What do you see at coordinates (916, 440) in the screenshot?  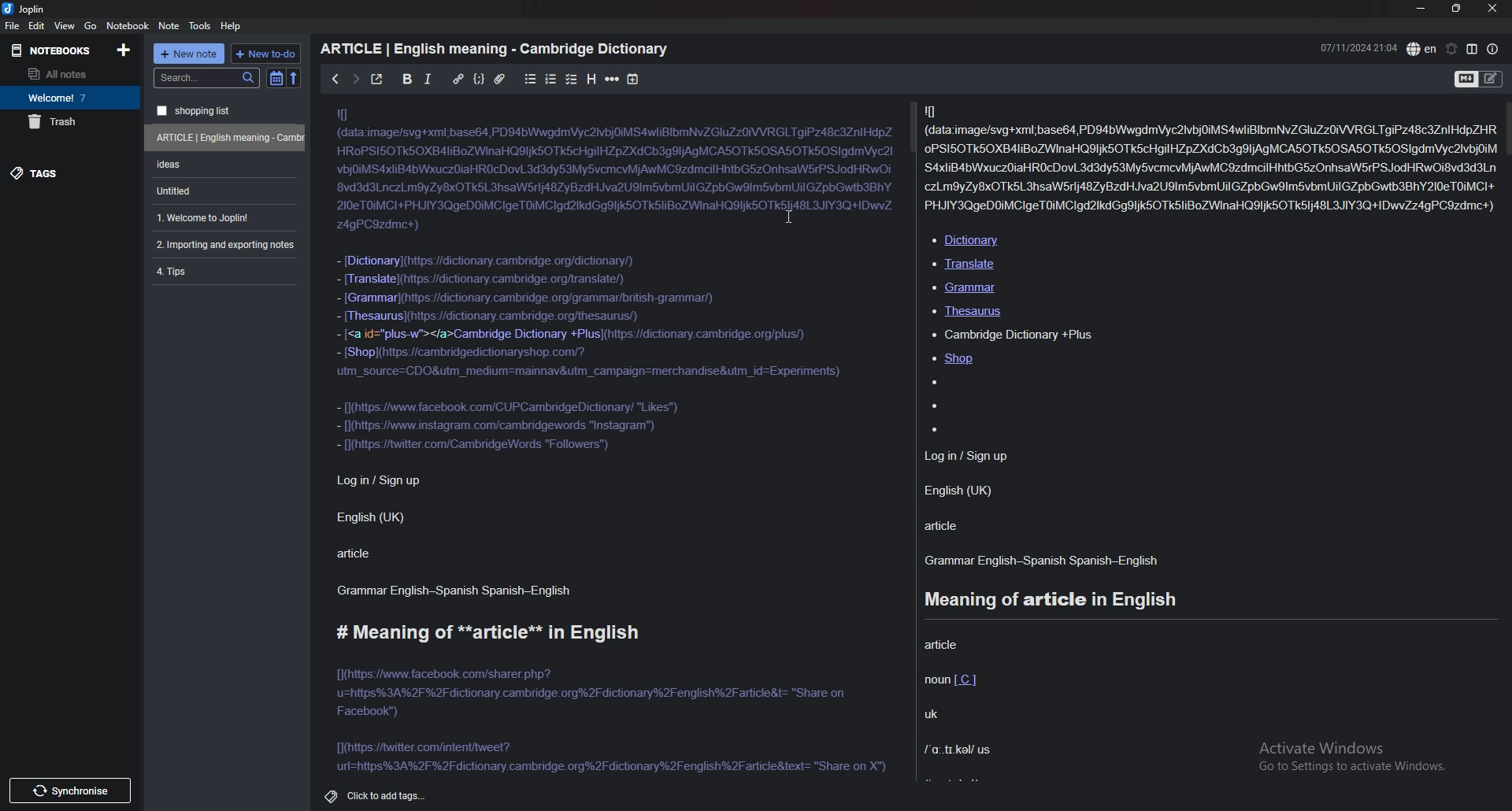 I see `content` at bounding box center [916, 440].